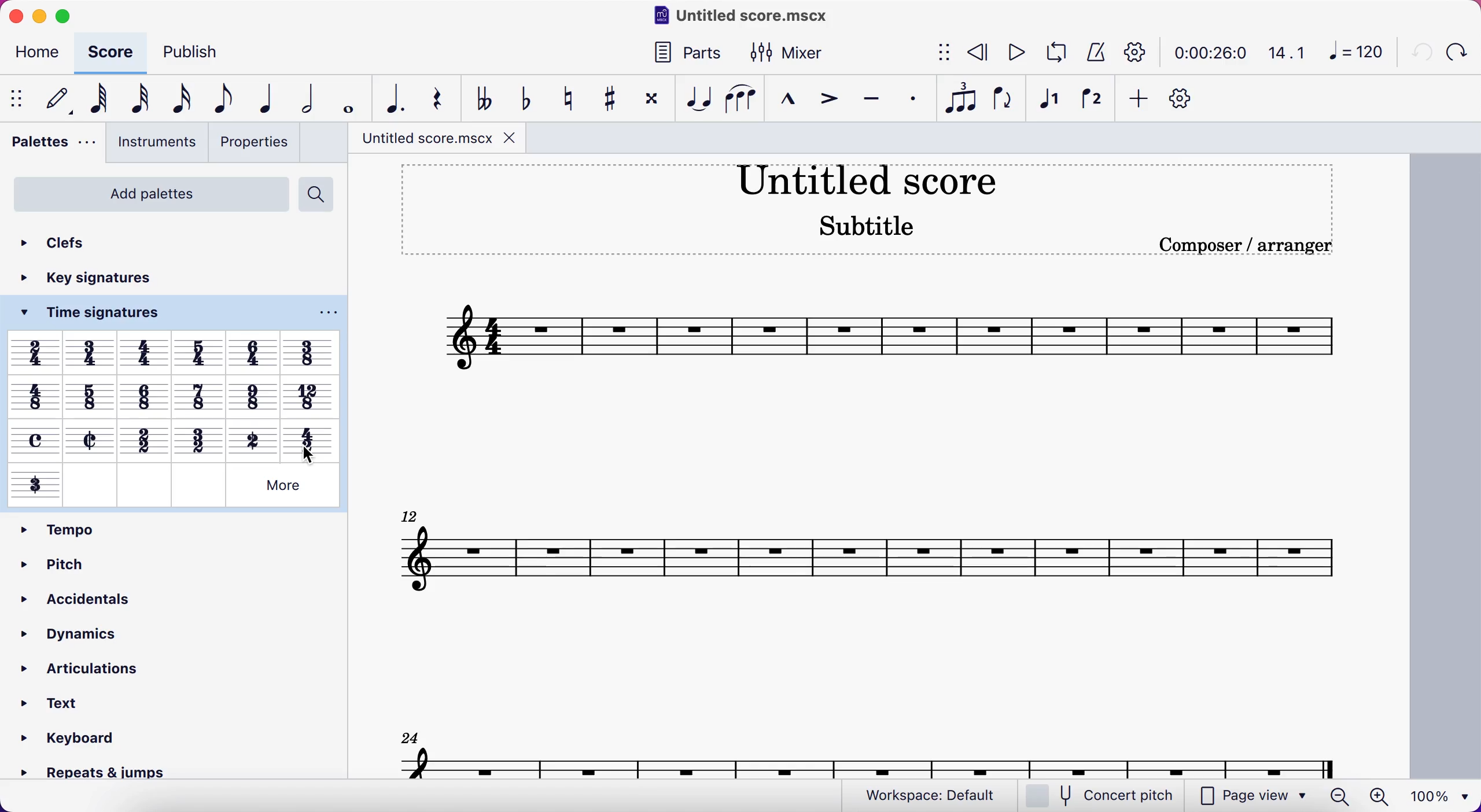  I want to click on zoom in, so click(1385, 796).